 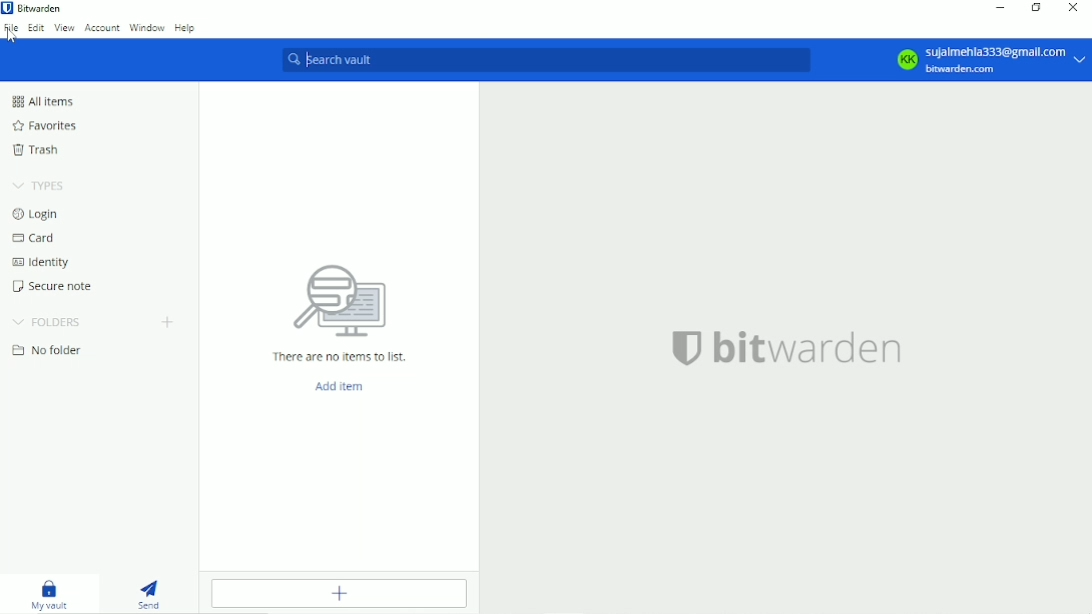 I want to click on Edit, so click(x=36, y=28).